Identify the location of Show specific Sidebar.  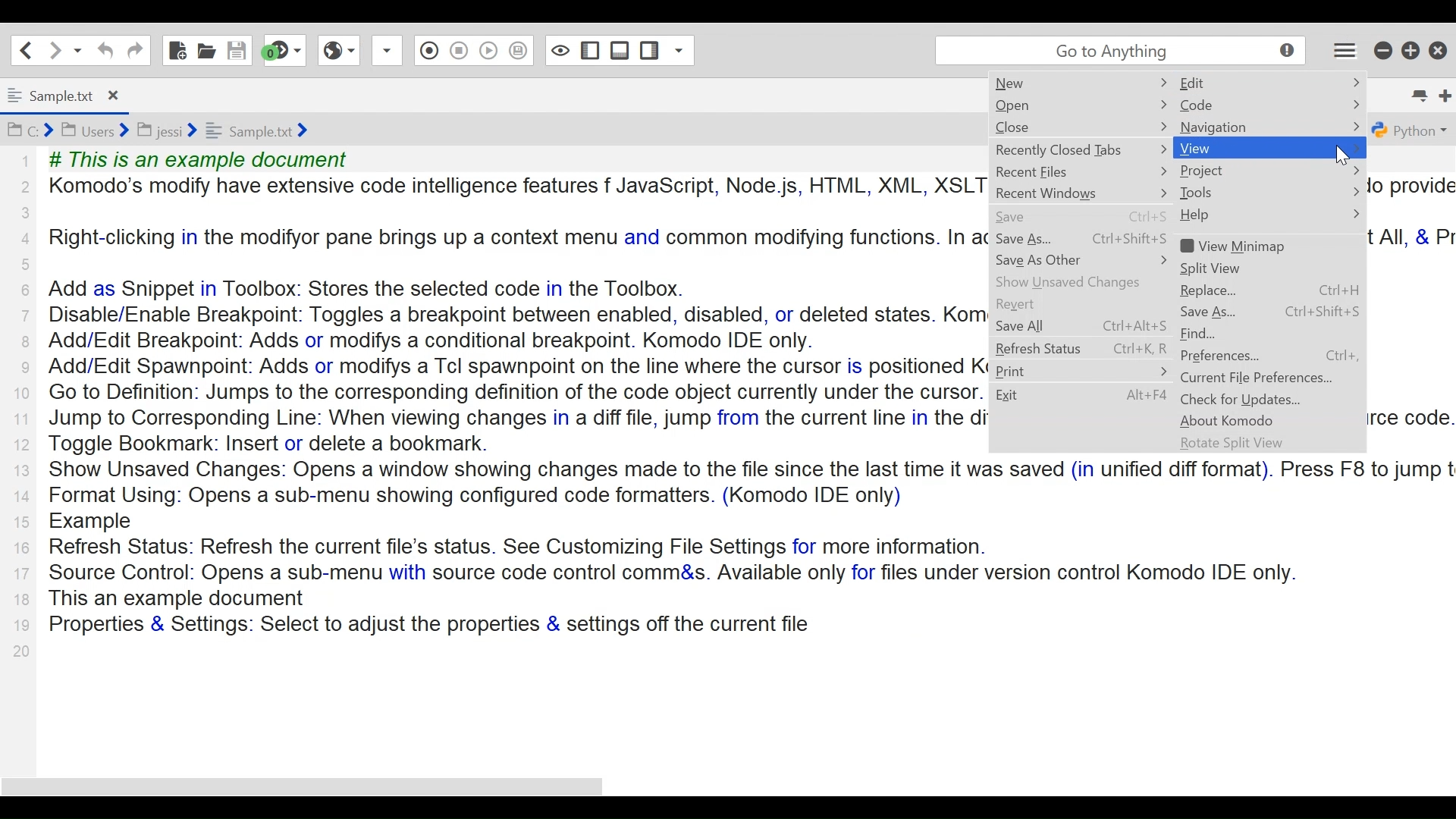
(665, 48).